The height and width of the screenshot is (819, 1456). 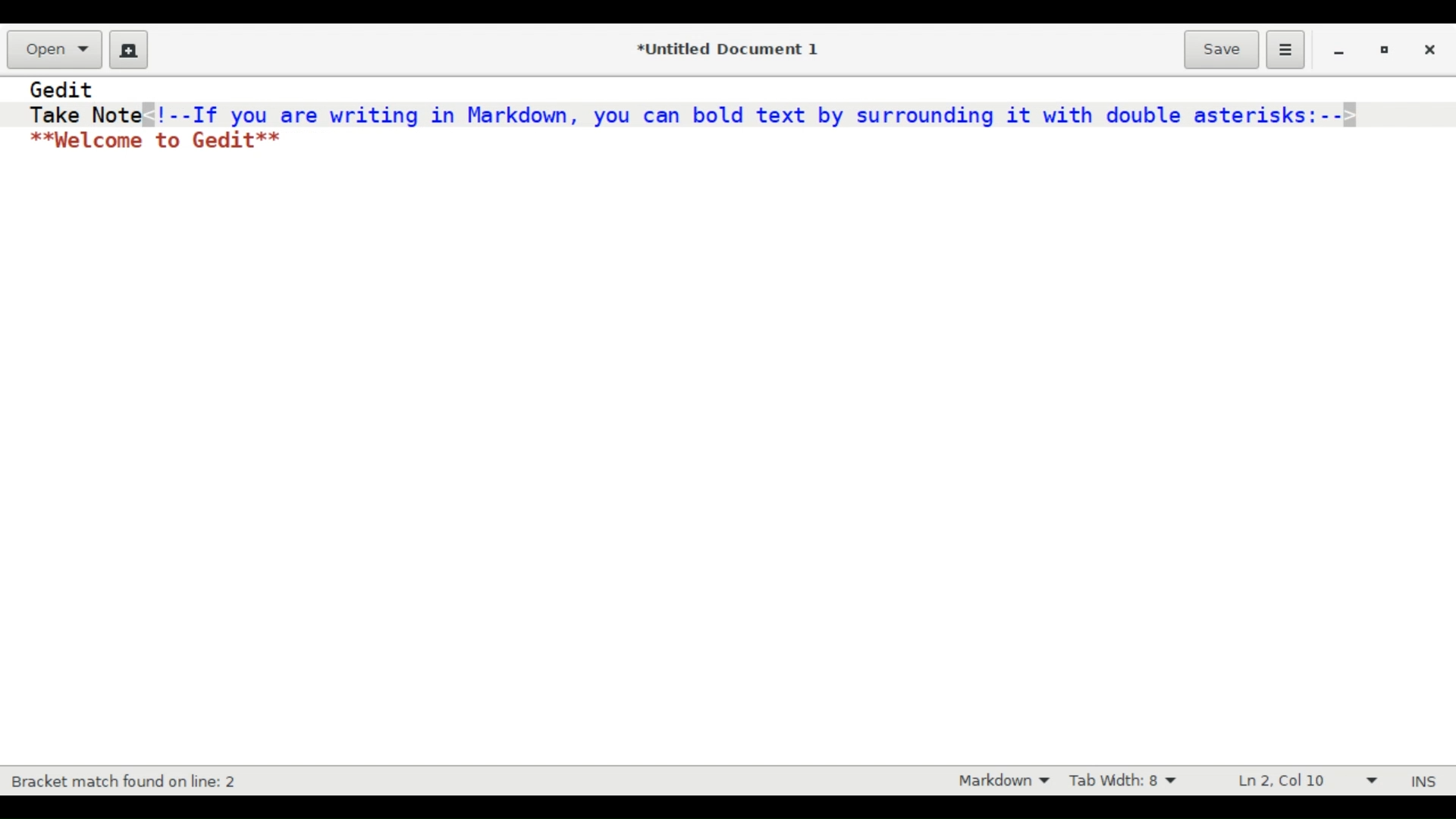 What do you see at coordinates (127, 782) in the screenshot?
I see `Bracket match found on line: 2` at bounding box center [127, 782].